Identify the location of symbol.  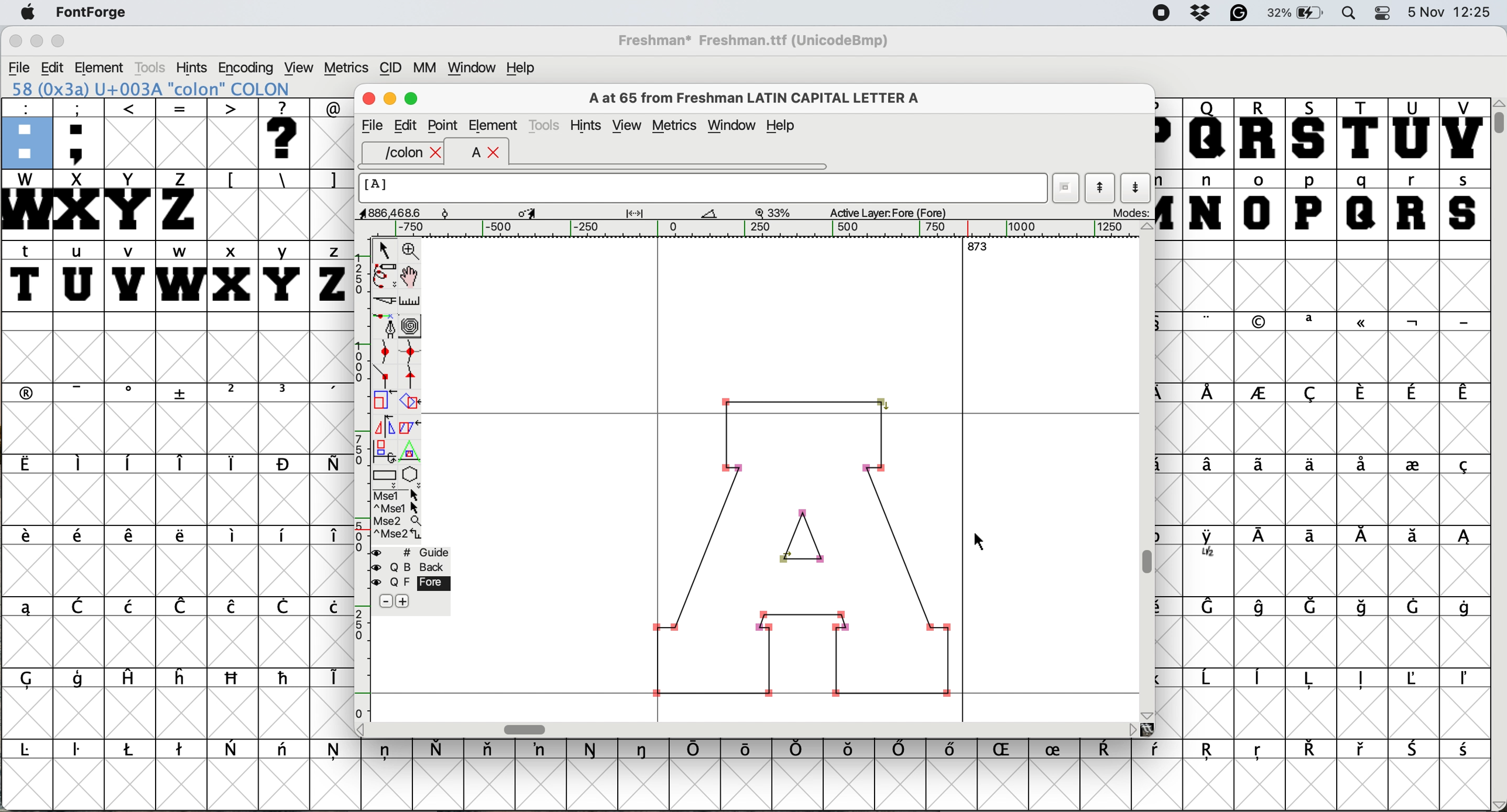
(1210, 466).